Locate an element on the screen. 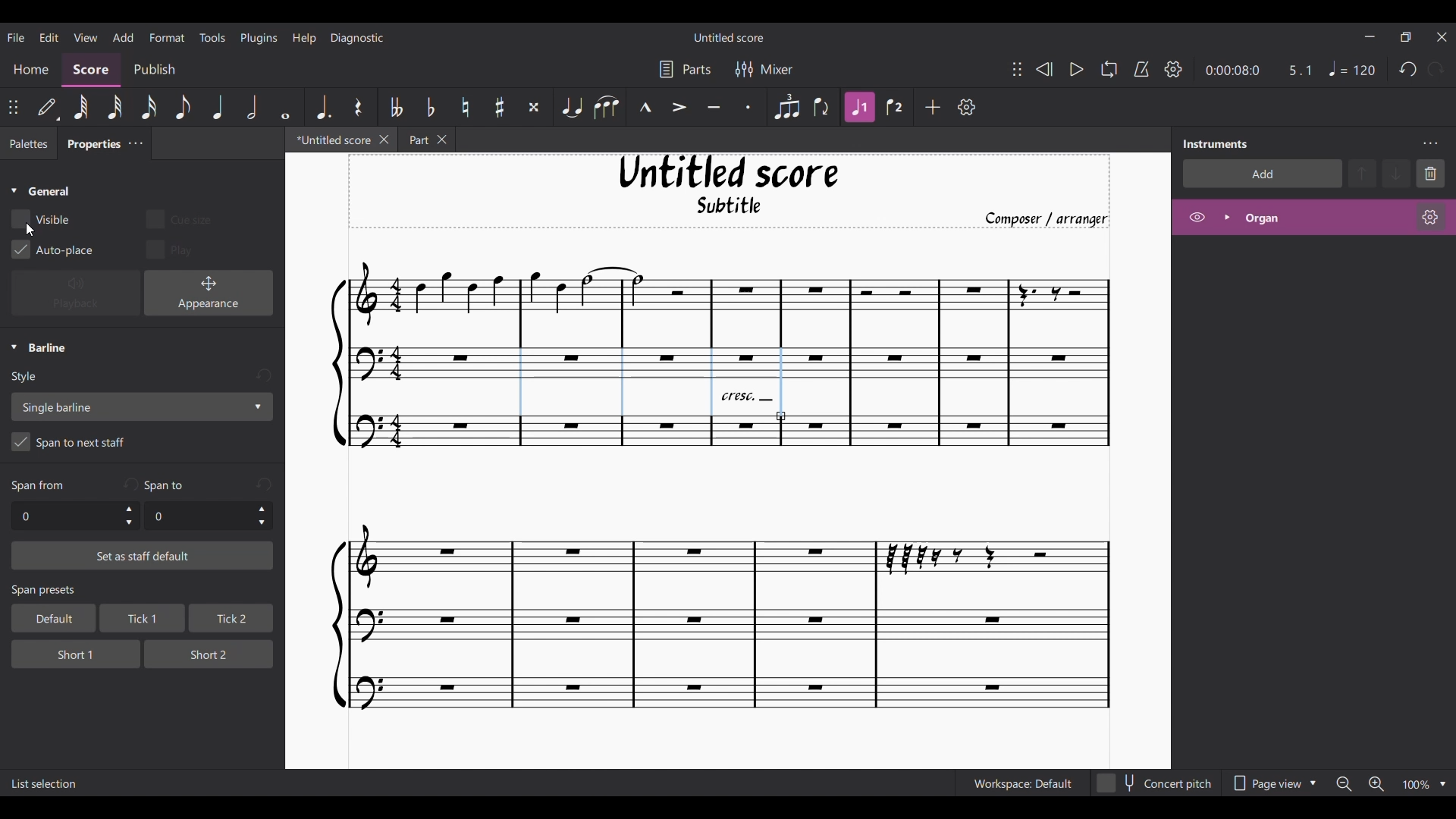 This screenshot has height=819, width=1456. Tie is located at coordinates (571, 107).